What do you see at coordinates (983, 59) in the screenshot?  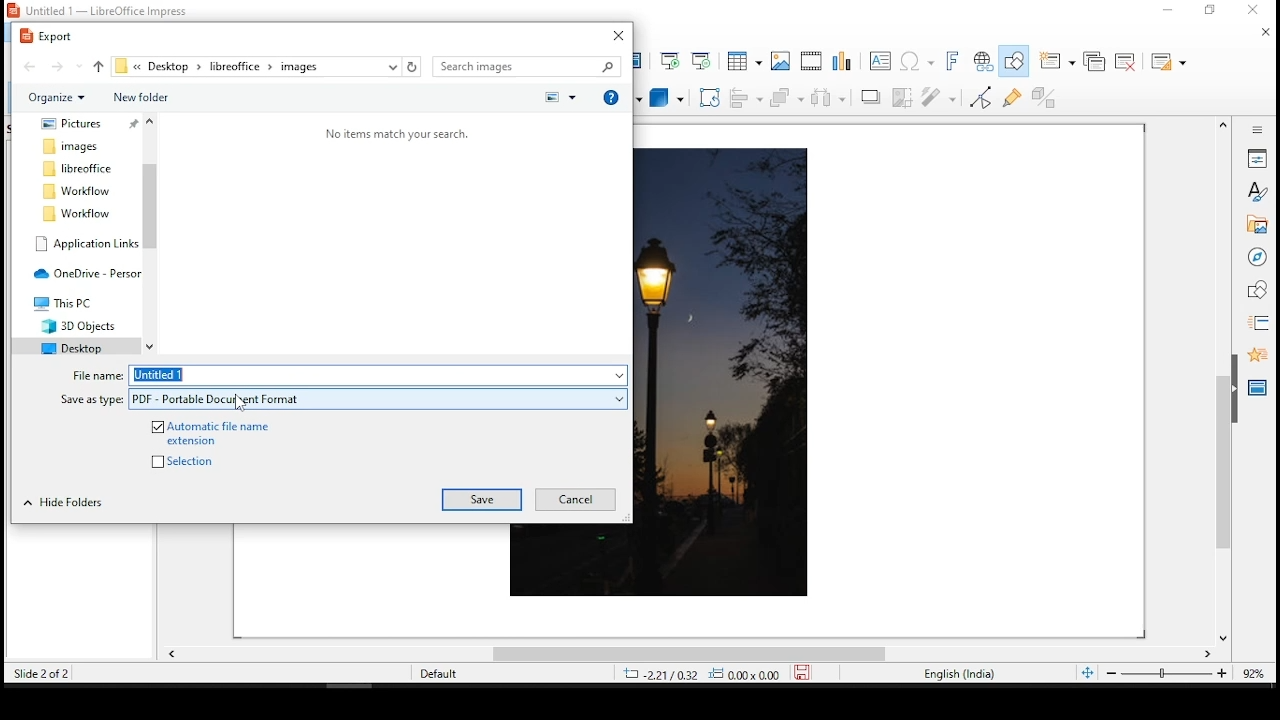 I see `hyperlink` at bounding box center [983, 59].